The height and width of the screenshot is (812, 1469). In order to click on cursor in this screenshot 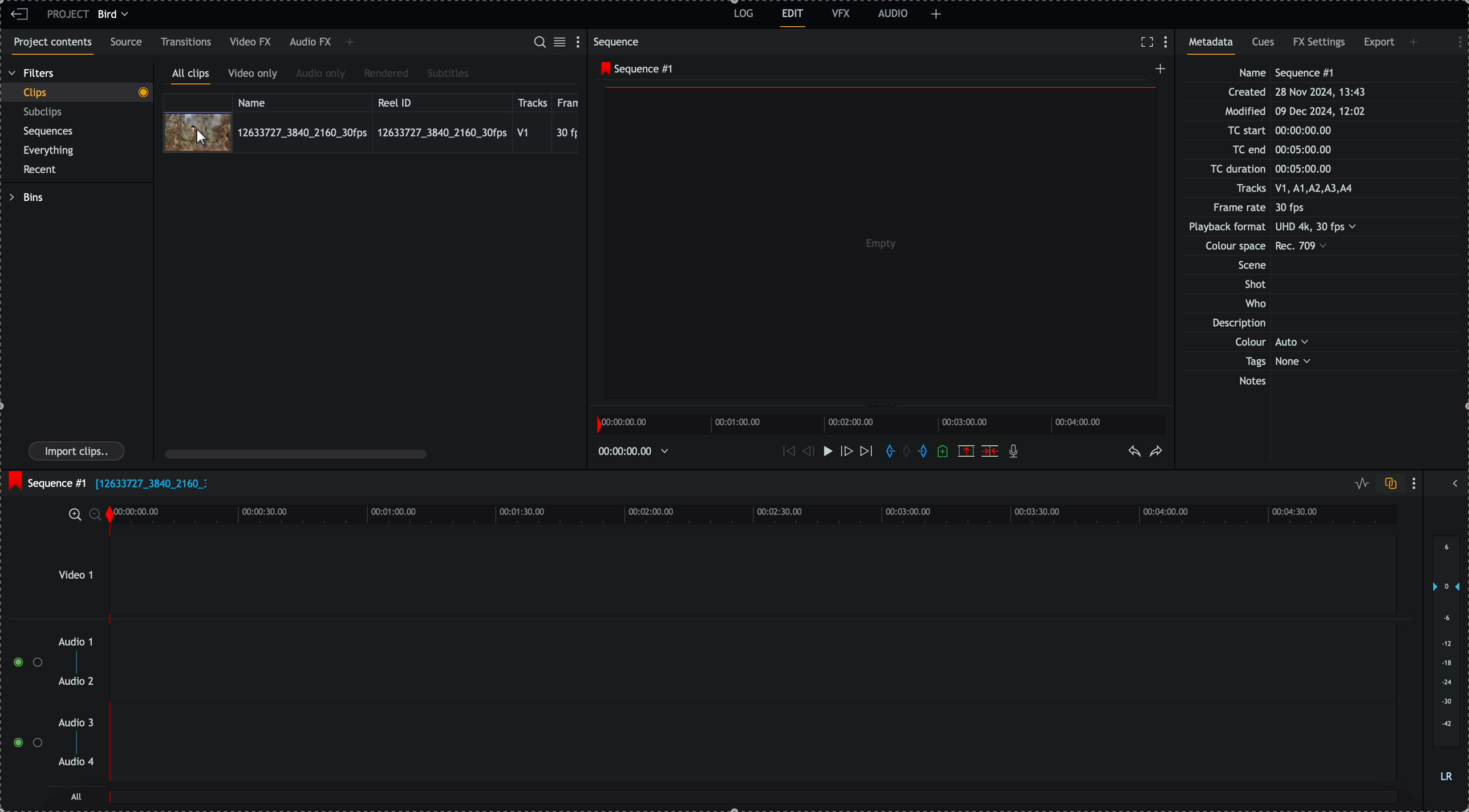, I will do `click(205, 139)`.